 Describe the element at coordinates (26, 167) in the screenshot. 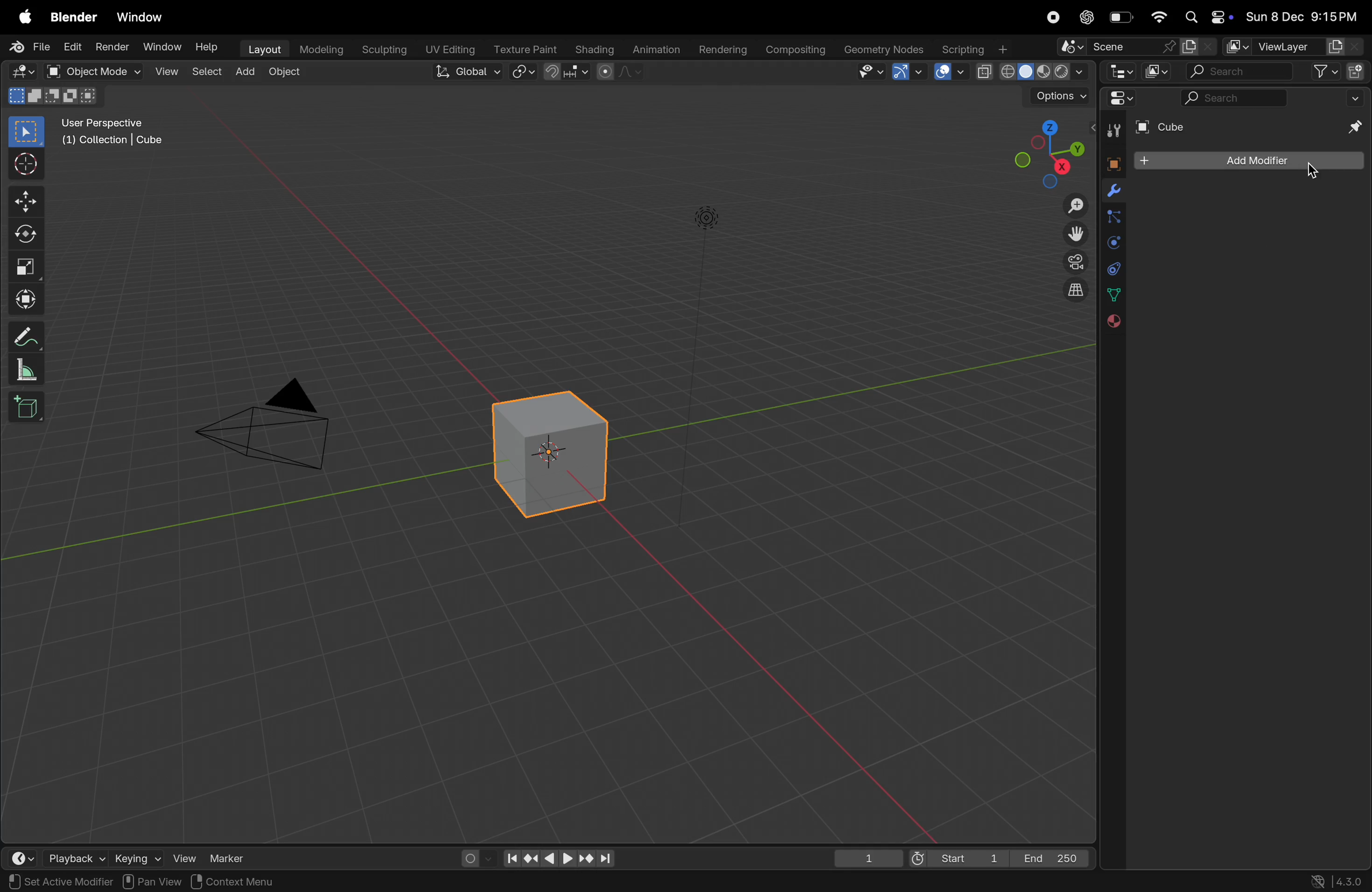

I see `select cursor` at that location.